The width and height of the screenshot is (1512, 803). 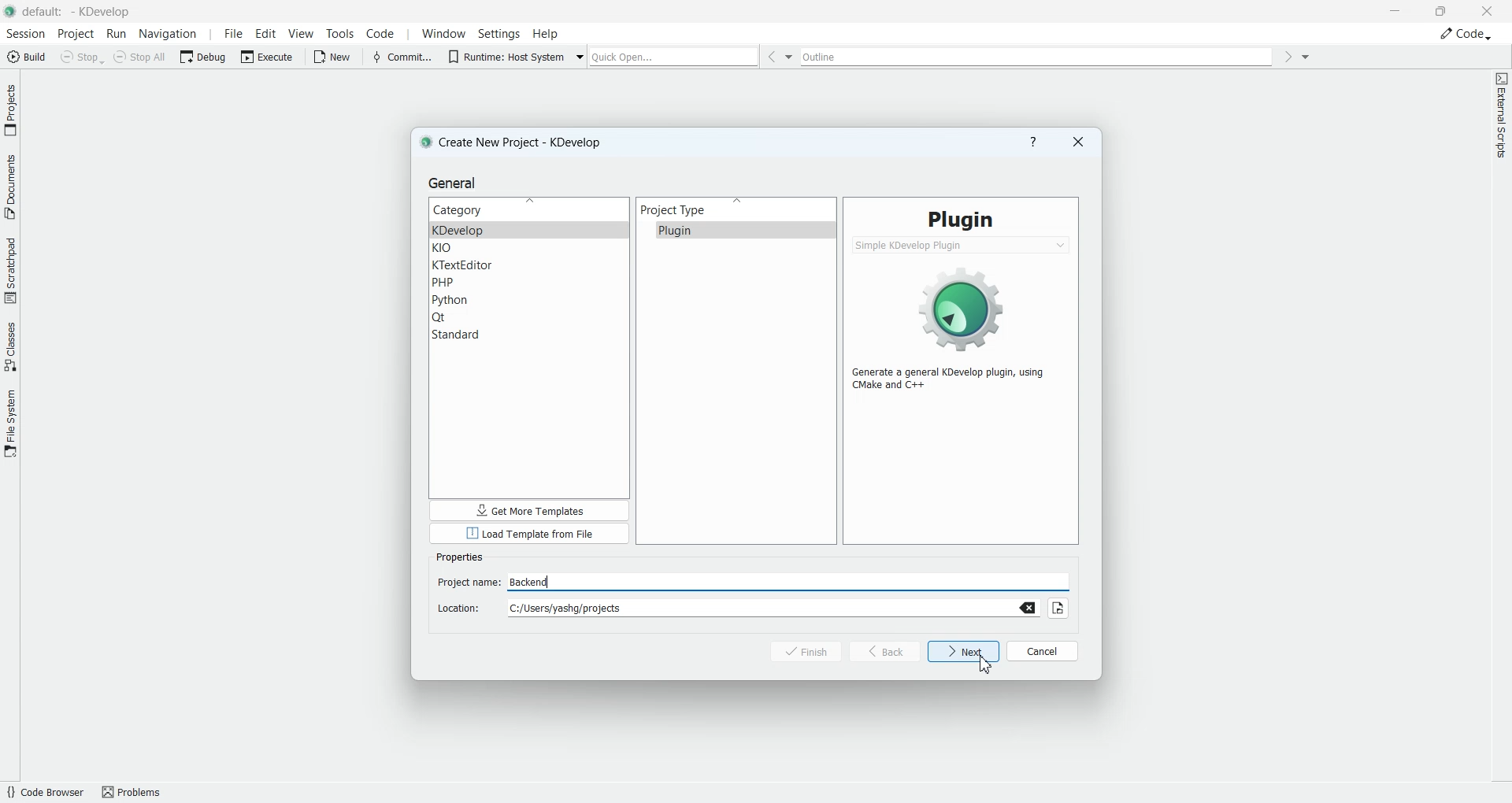 I want to click on Stop, so click(x=82, y=57).